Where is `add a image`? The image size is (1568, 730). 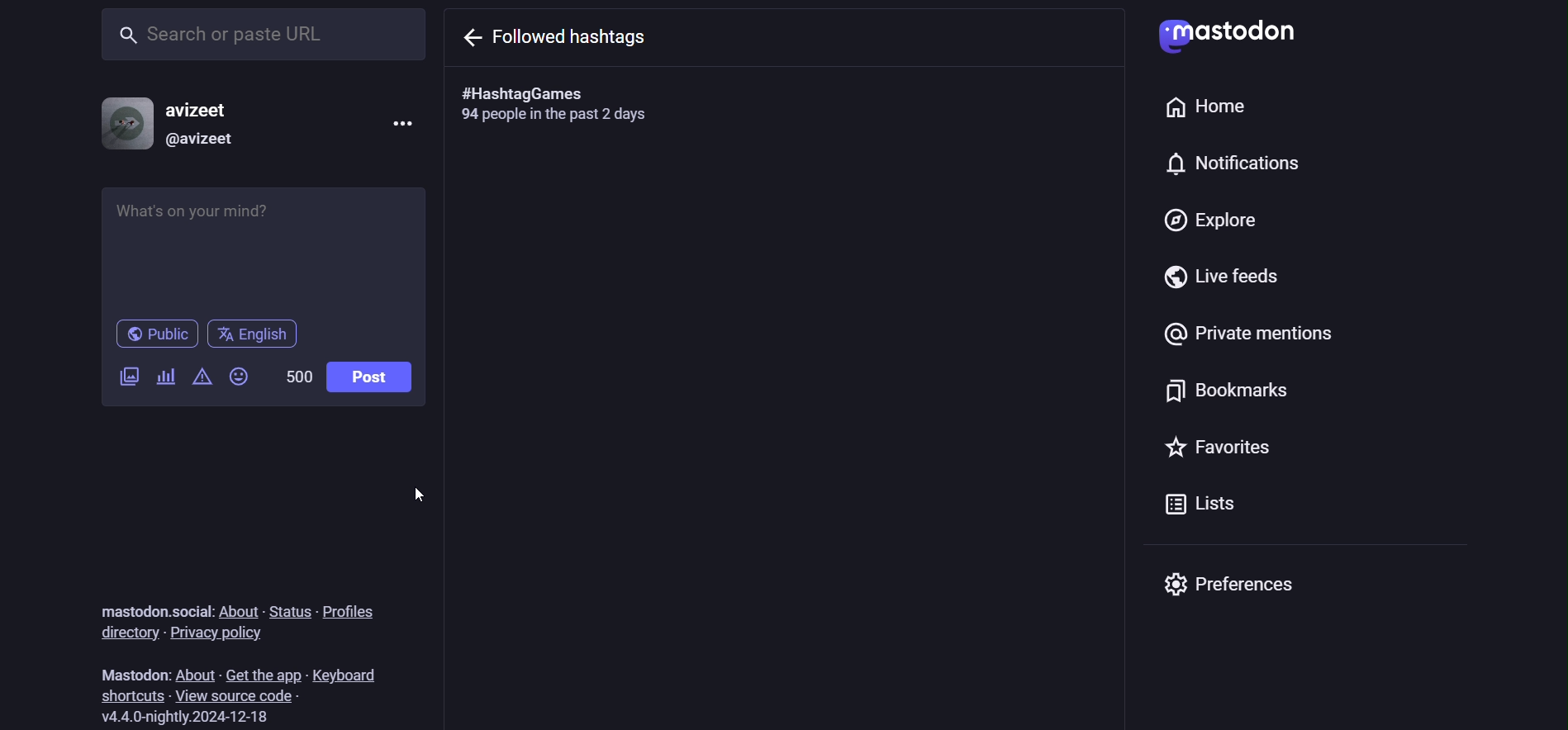 add a image is located at coordinates (126, 378).